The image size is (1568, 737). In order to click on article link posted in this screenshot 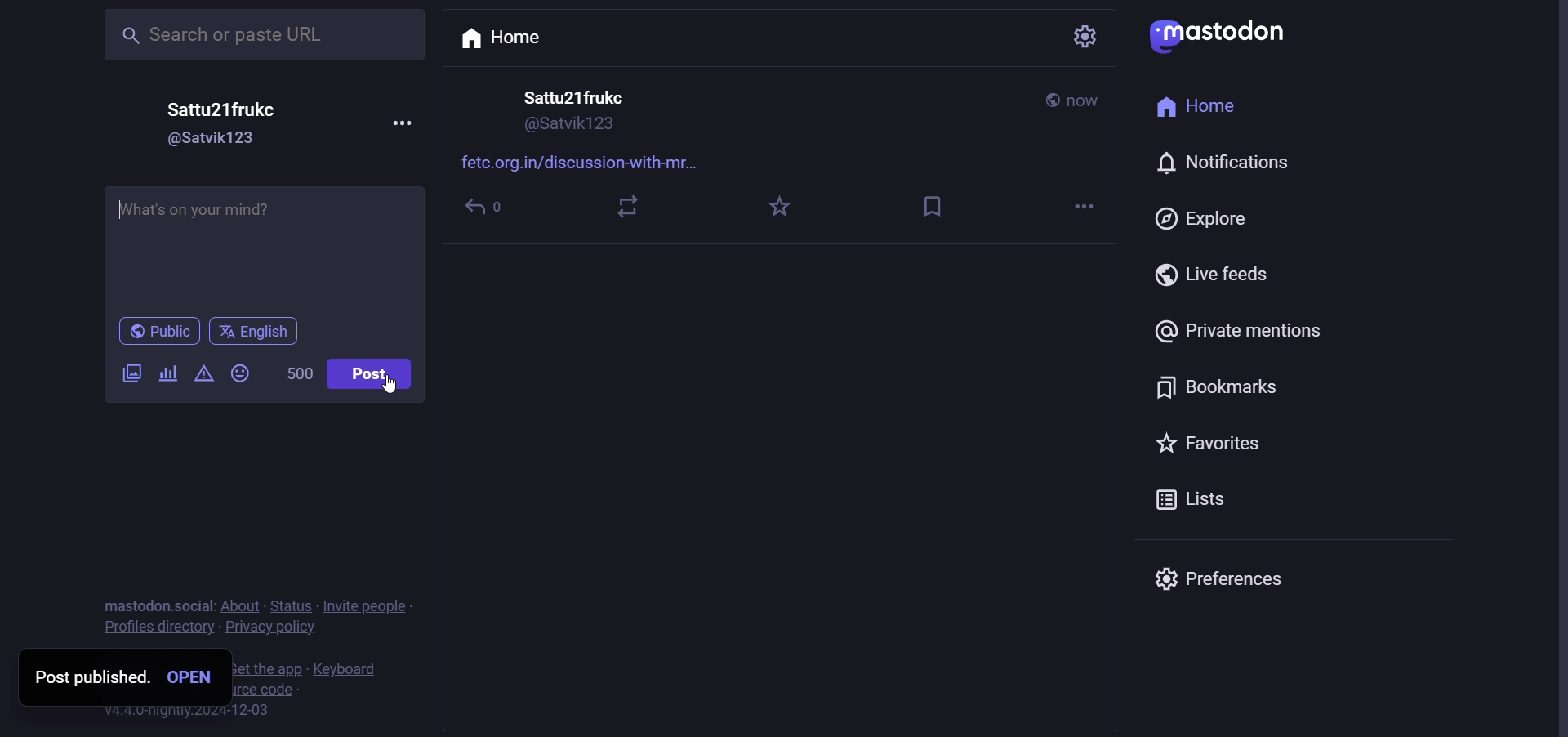, I will do `click(590, 161)`.